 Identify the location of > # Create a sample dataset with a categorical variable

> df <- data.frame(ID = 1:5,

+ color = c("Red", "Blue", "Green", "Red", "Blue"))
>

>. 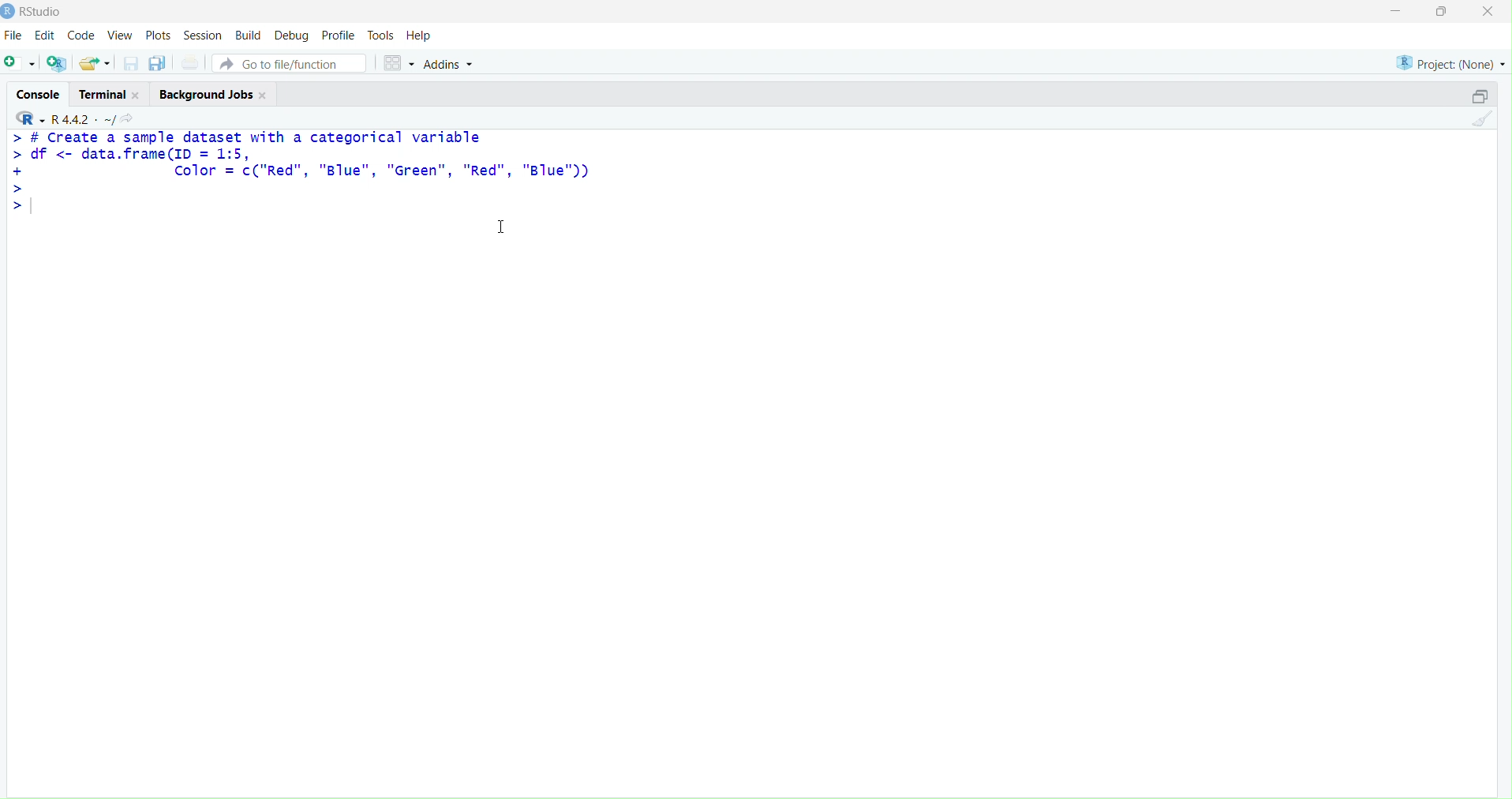
(301, 174).